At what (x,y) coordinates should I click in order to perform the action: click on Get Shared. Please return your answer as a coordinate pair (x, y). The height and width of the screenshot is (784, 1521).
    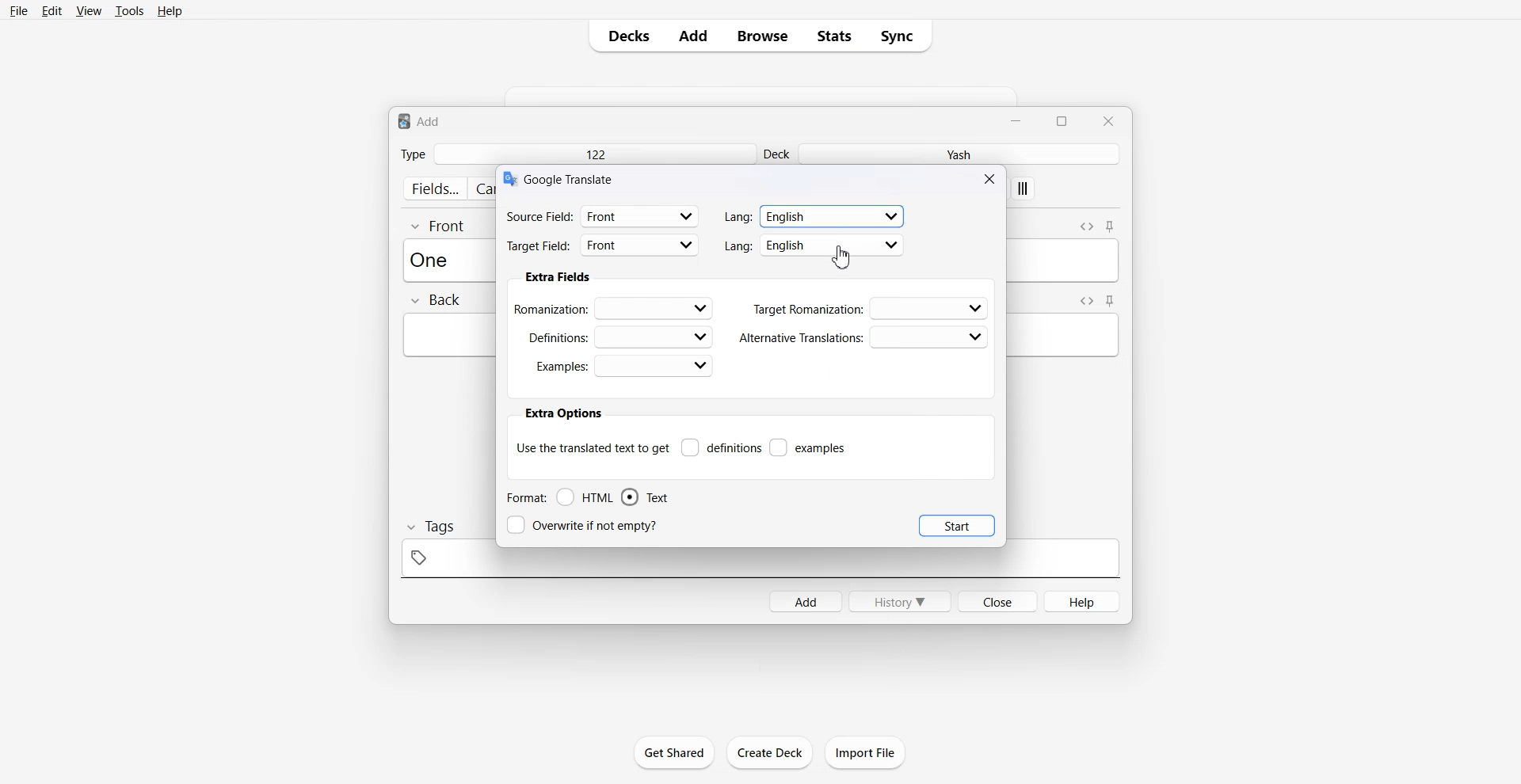
    Looking at the image, I should click on (675, 752).